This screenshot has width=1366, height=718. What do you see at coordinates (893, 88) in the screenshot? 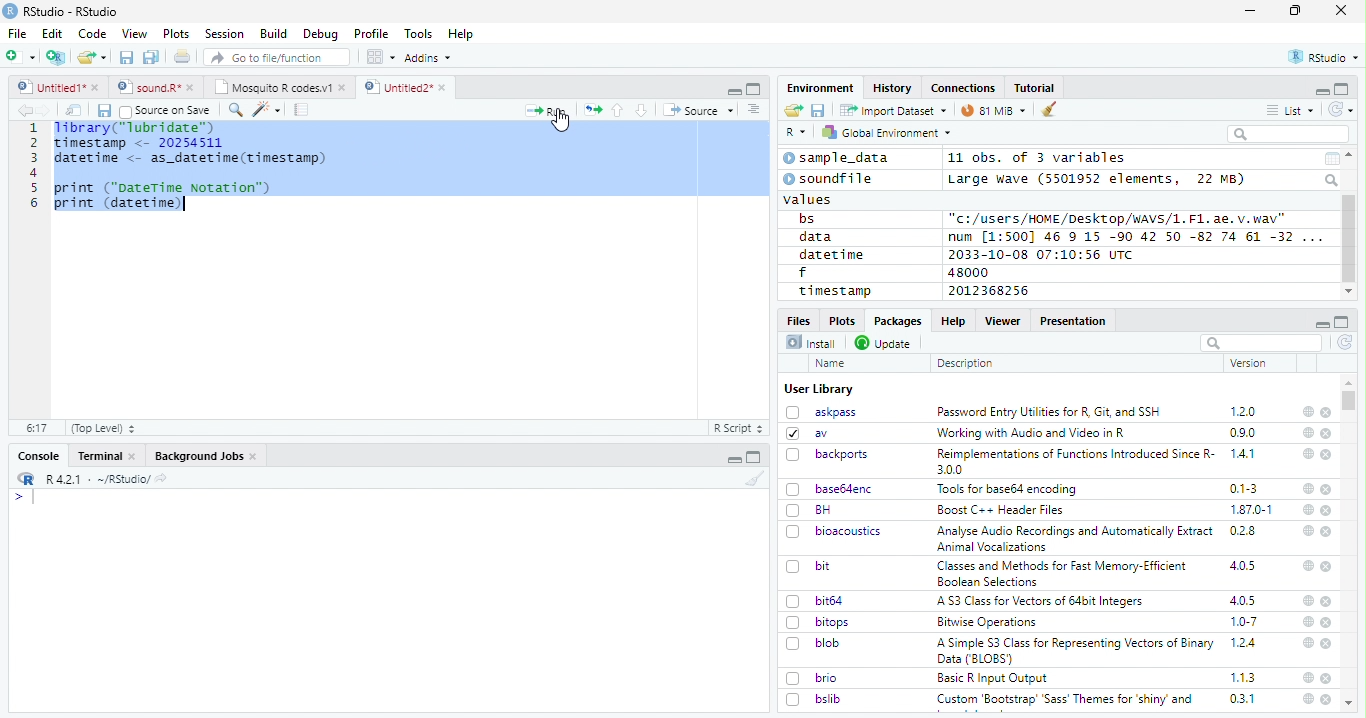
I see `History` at bounding box center [893, 88].